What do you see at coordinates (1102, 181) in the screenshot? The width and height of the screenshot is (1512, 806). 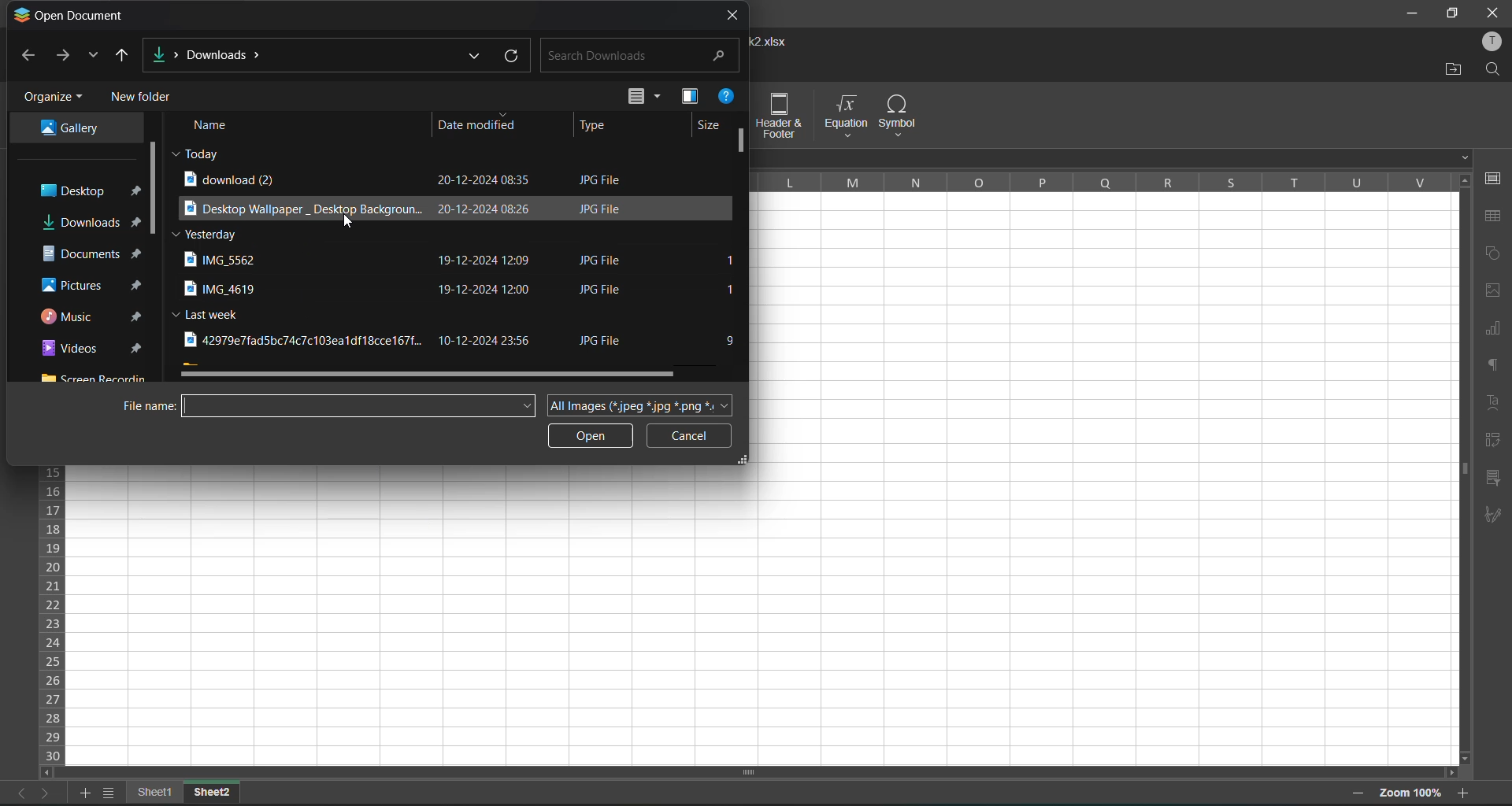 I see `column names` at bounding box center [1102, 181].